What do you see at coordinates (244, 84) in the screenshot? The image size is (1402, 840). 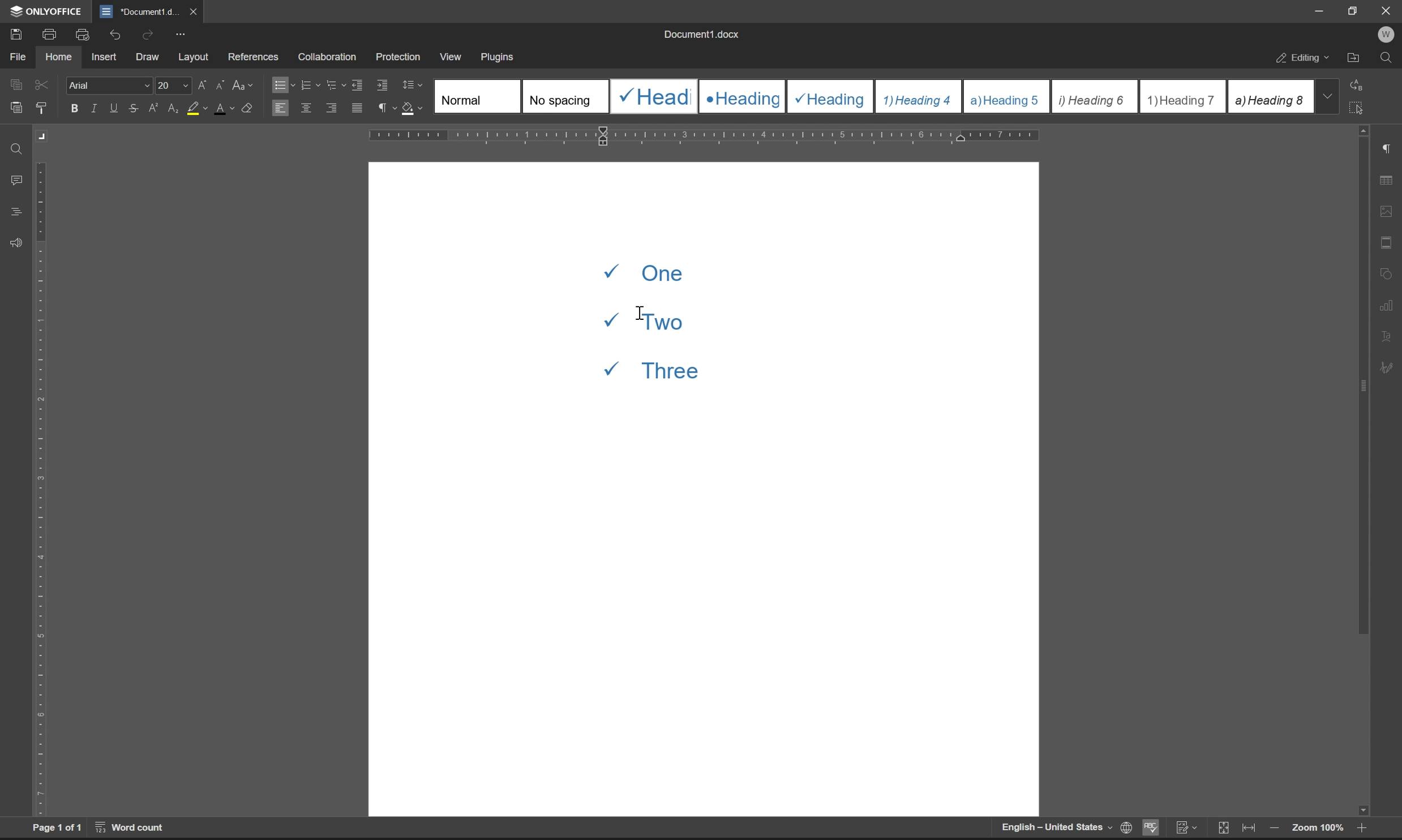 I see `change case` at bounding box center [244, 84].